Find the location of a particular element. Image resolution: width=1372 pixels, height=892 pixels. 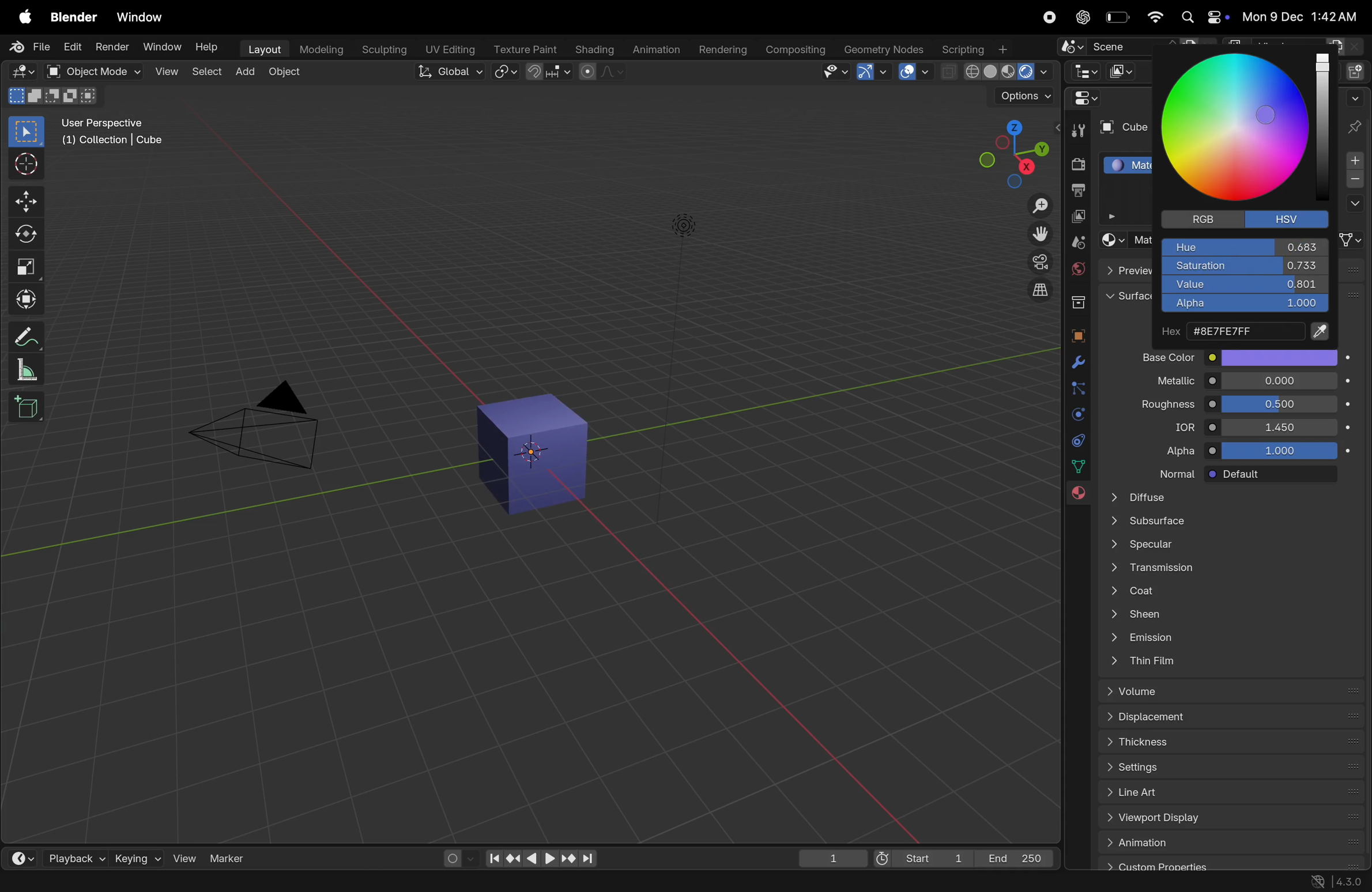

1 is located at coordinates (833, 859).